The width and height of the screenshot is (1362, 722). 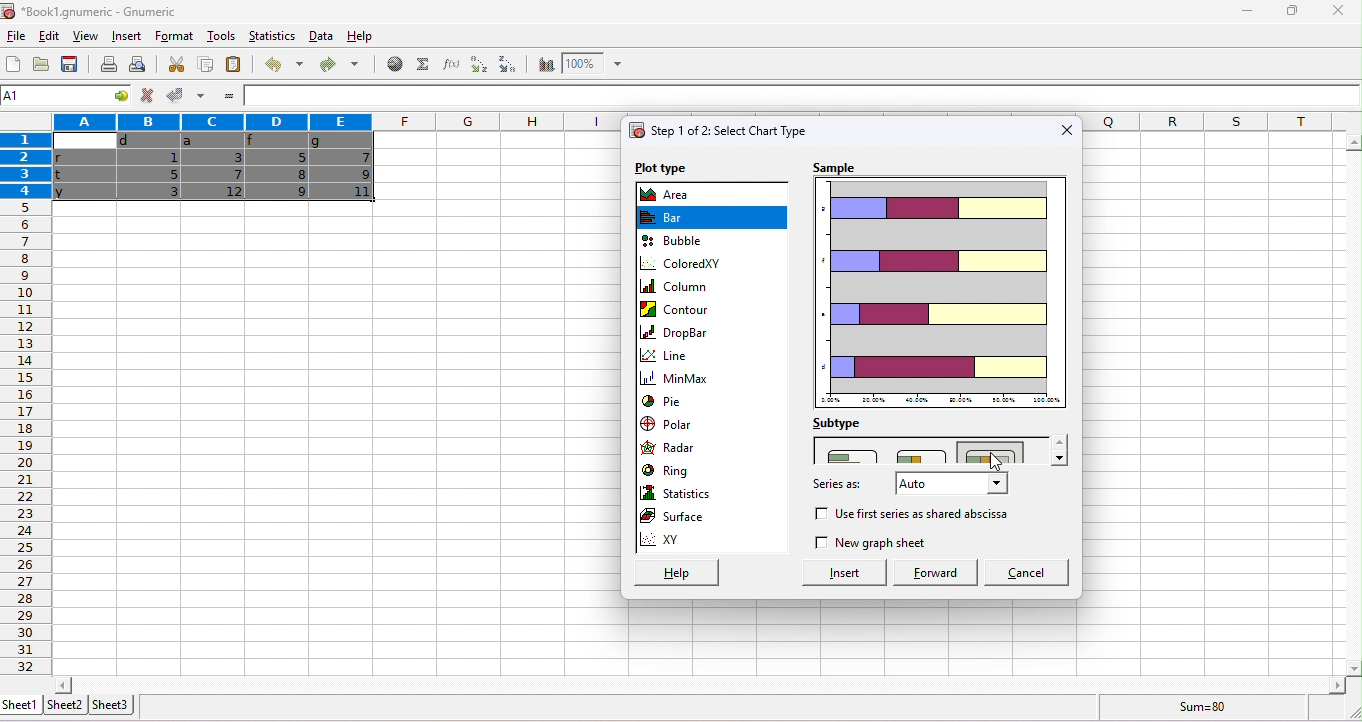 I want to click on save, so click(x=70, y=63).